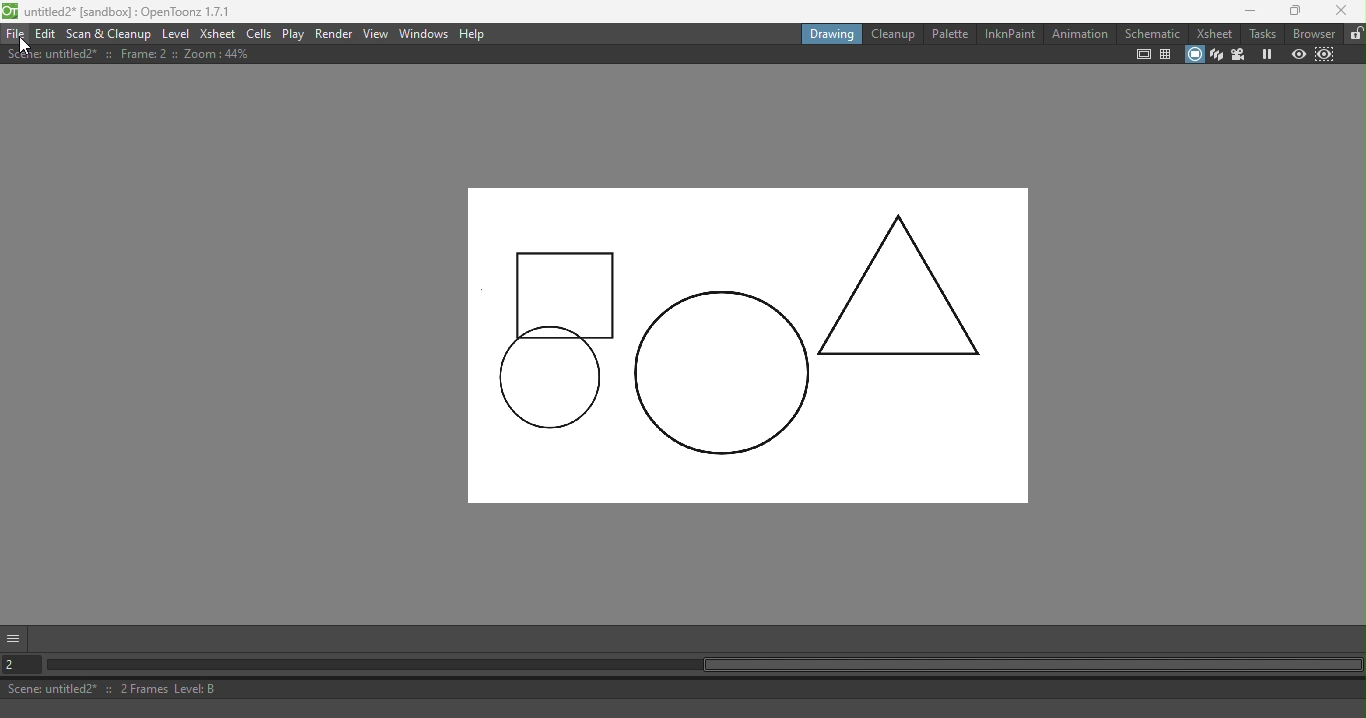 The height and width of the screenshot is (718, 1366). I want to click on Minimize, so click(1239, 12).